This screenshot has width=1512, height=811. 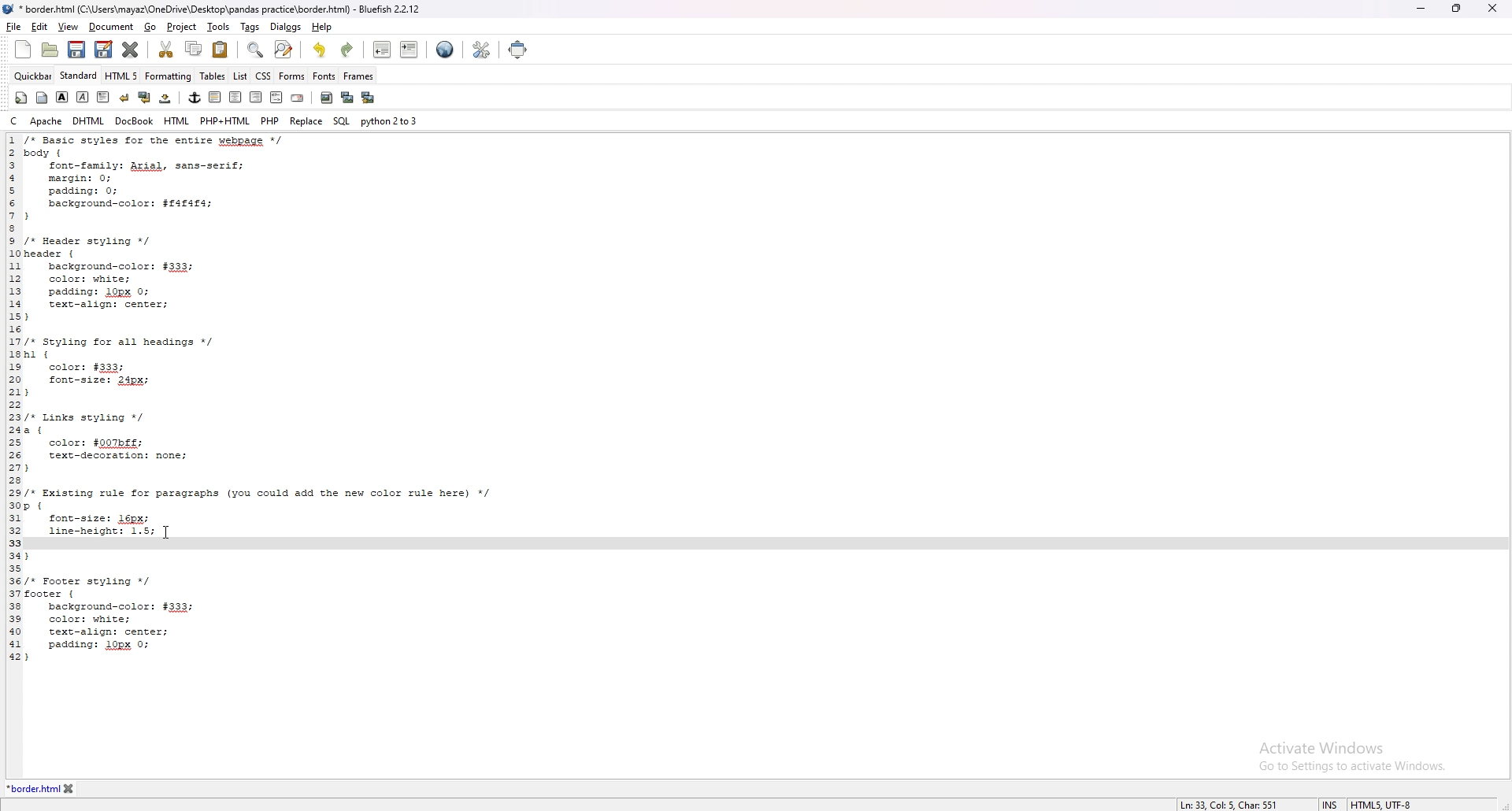 I want to click on save as, so click(x=103, y=50).